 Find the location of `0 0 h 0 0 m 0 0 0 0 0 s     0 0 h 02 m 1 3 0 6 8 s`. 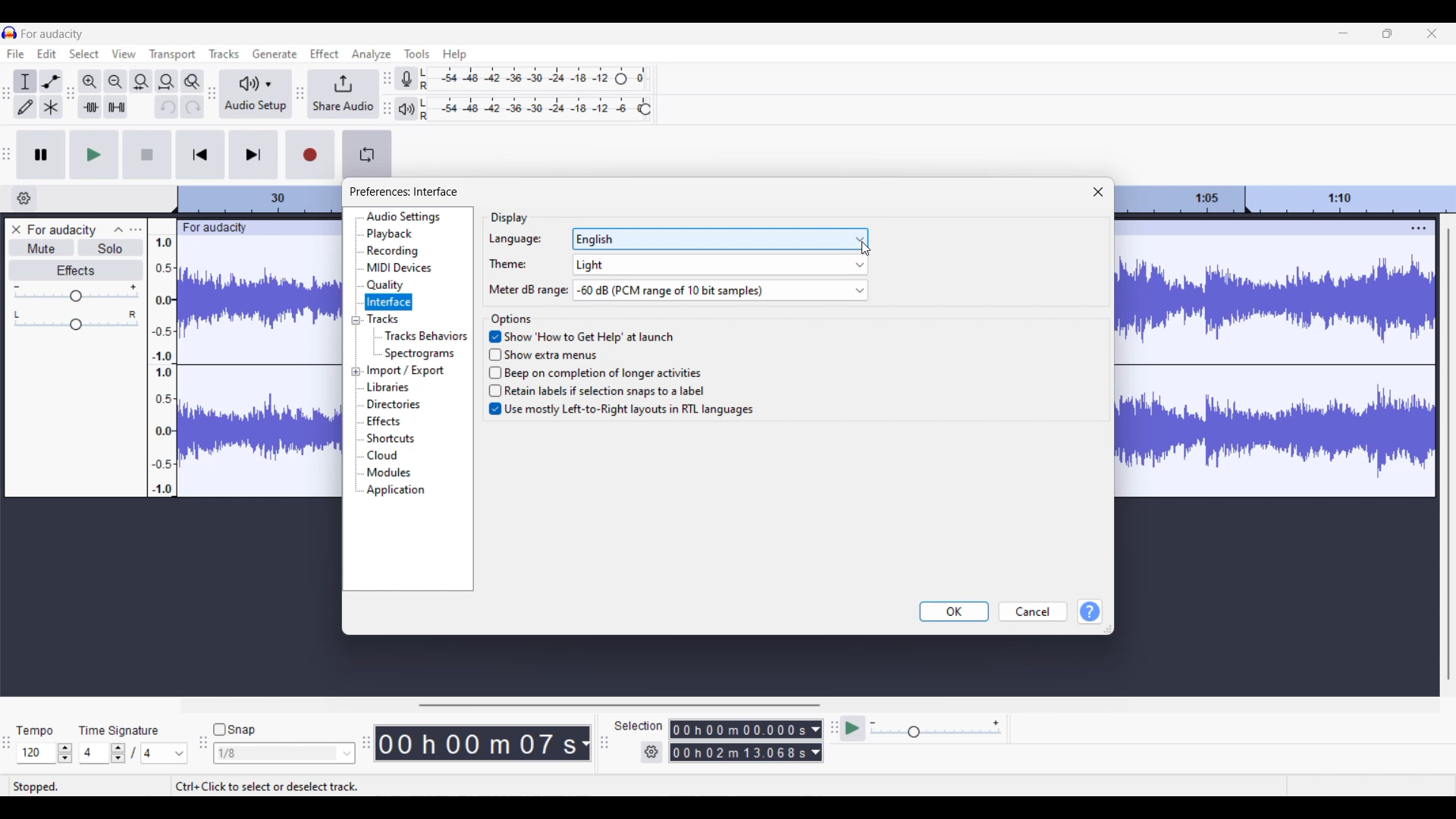

0 0 h 0 0 m 0 0 0 0 0 s     0 0 h 02 m 1 3 0 6 8 s is located at coordinates (739, 740).